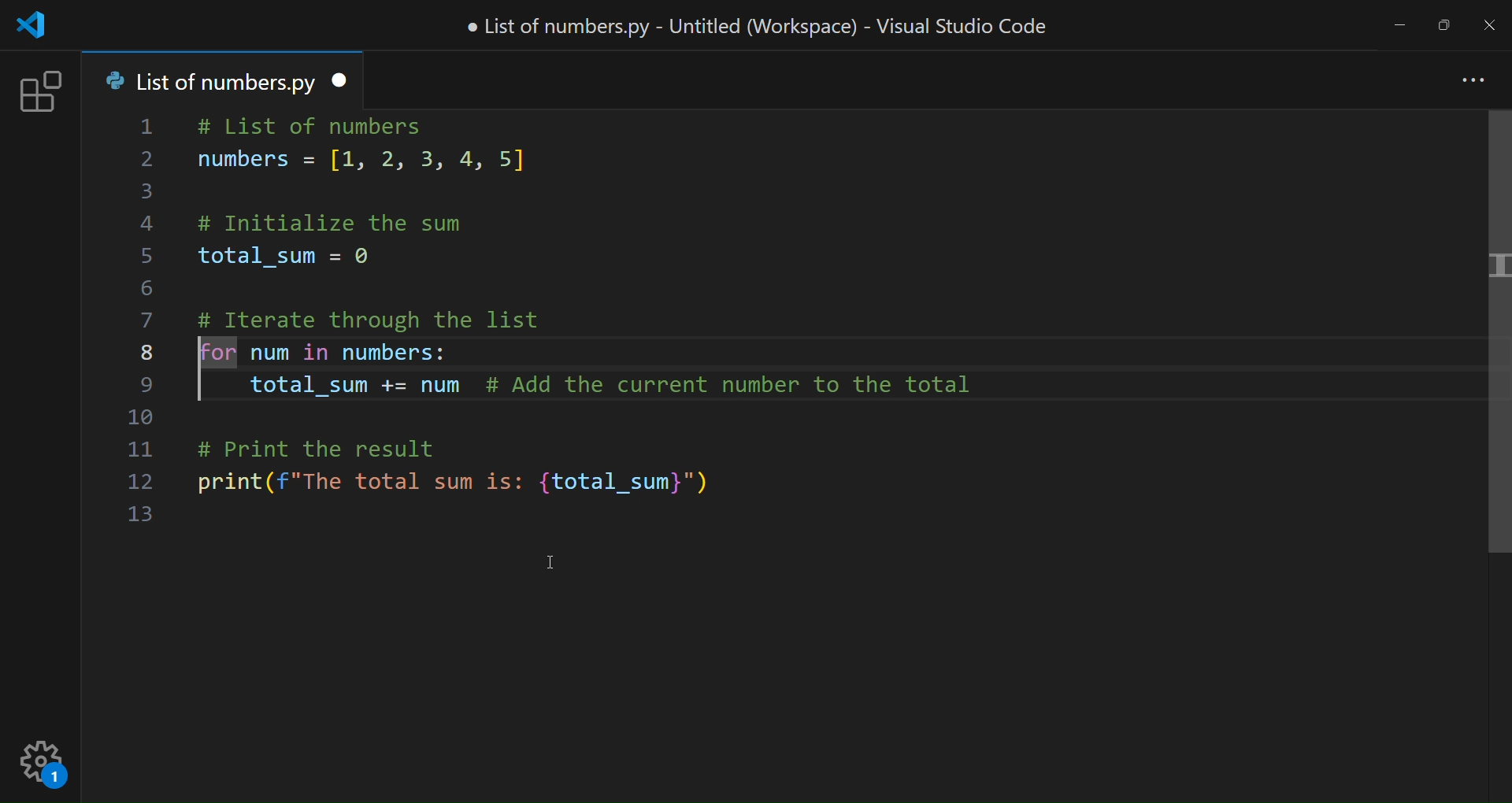 This screenshot has height=803, width=1512. What do you see at coordinates (209, 80) in the screenshot?
I see `tab name` at bounding box center [209, 80].